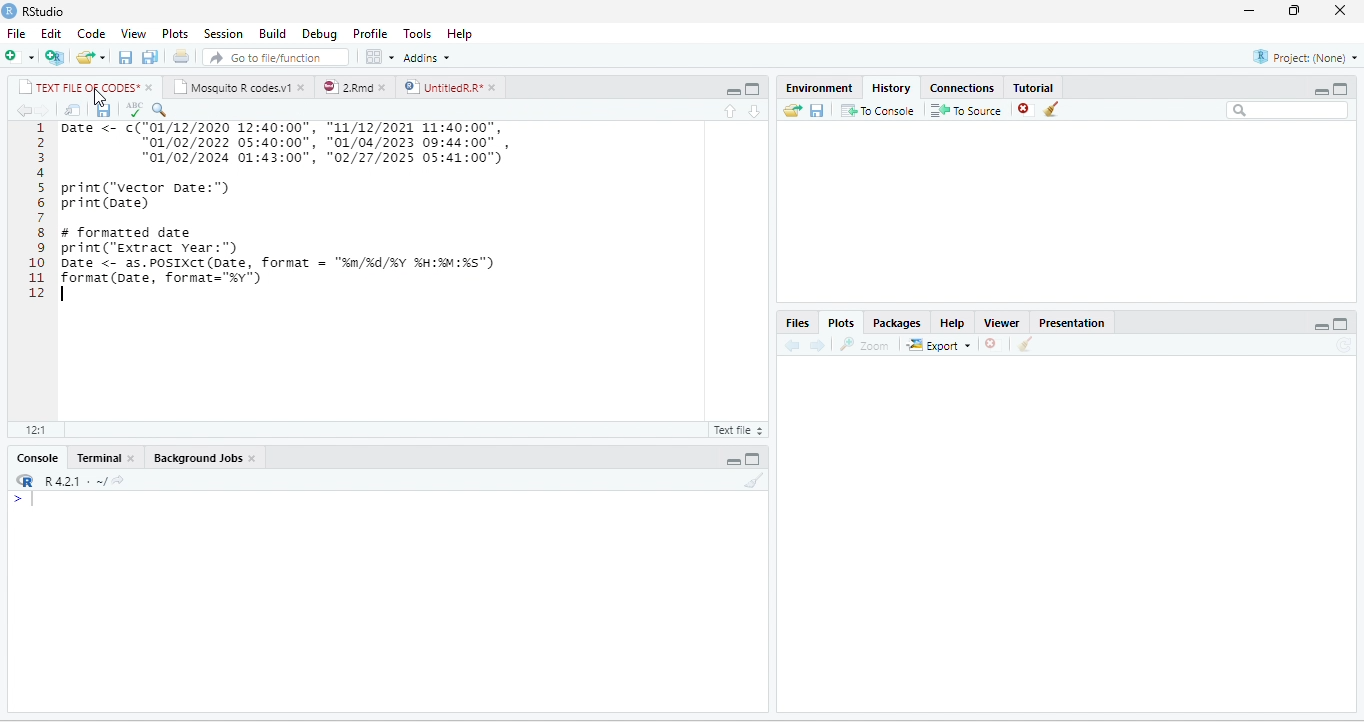 This screenshot has height=722, width=1364. Describe the element at coordinates (37, 458) in the screenshot. I see `Console` at that location.